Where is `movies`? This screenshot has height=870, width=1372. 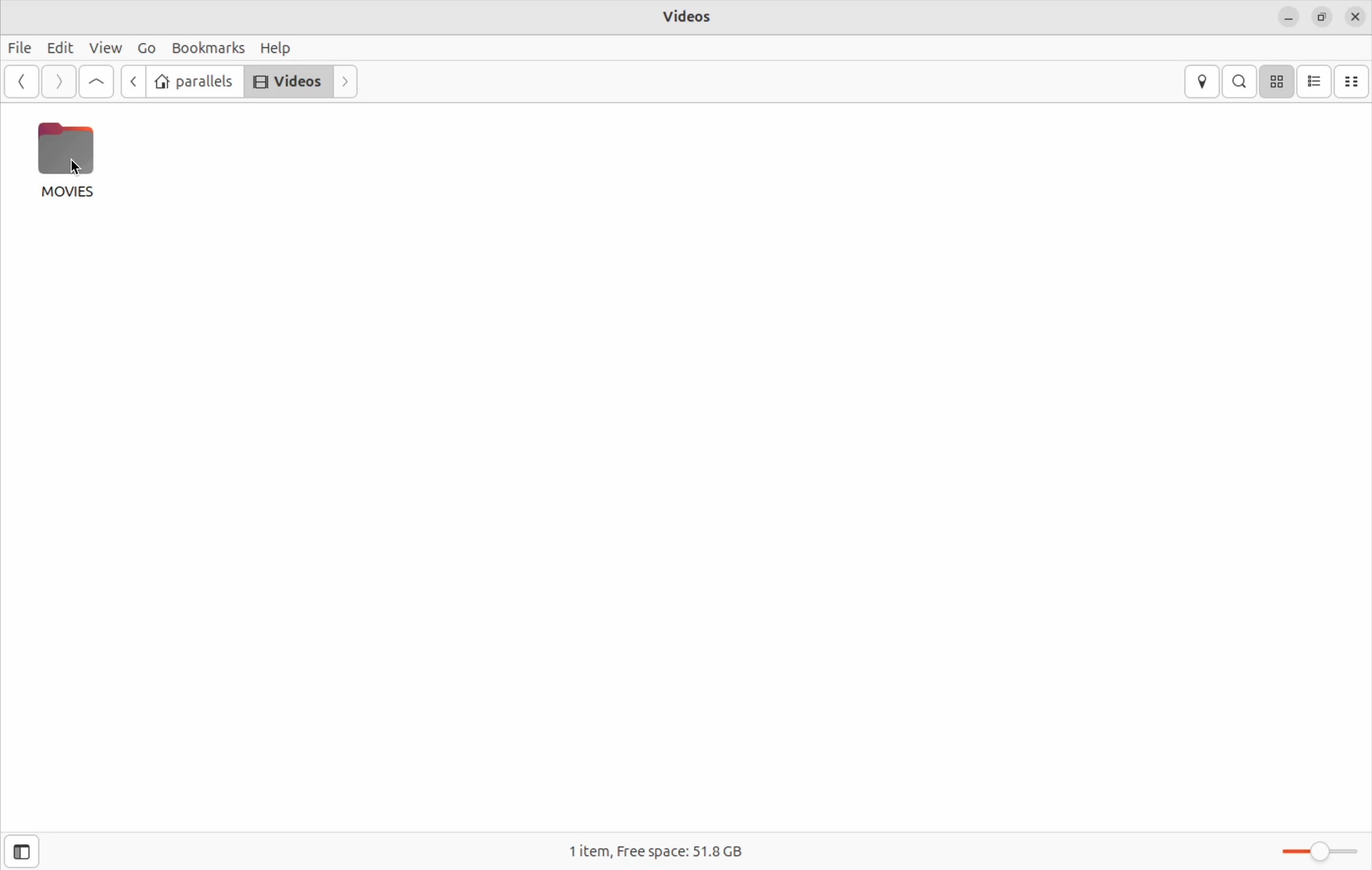
movies is located at coordinates (69, 160).